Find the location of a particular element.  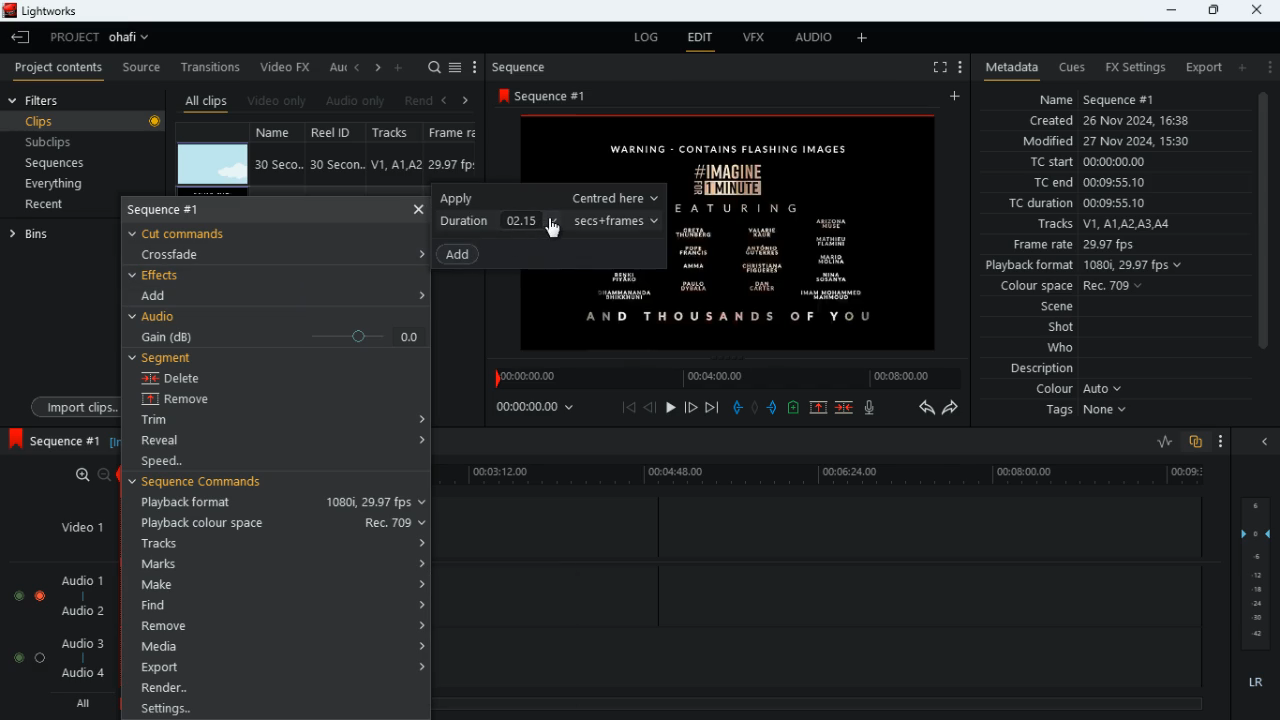

video 1 is located at coordinates (74, 526).